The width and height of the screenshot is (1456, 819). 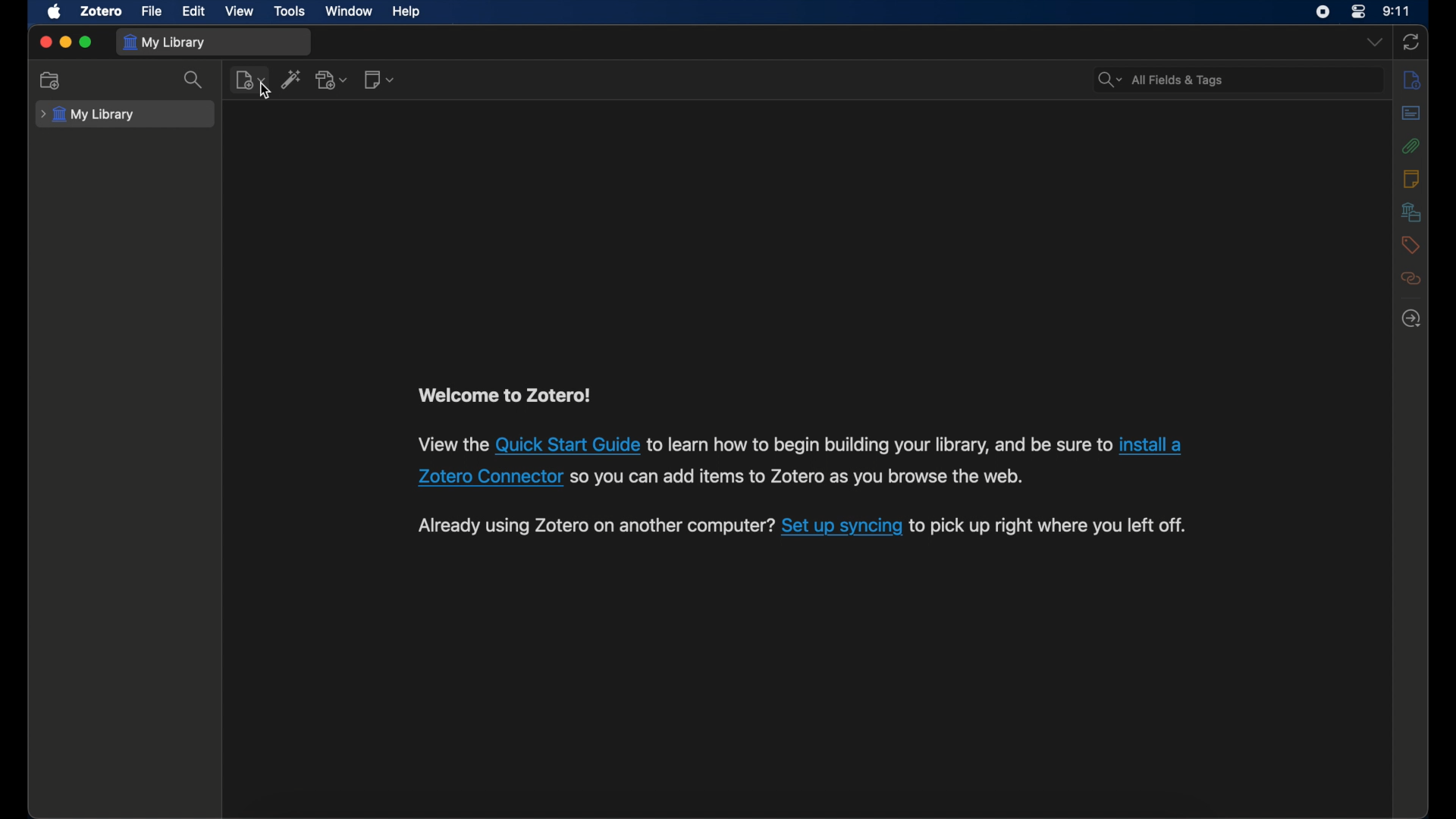 What do you see at coordinates (291, 79) in the screenshot?
I see `add items by identifier` at bounding box center [291, 79].